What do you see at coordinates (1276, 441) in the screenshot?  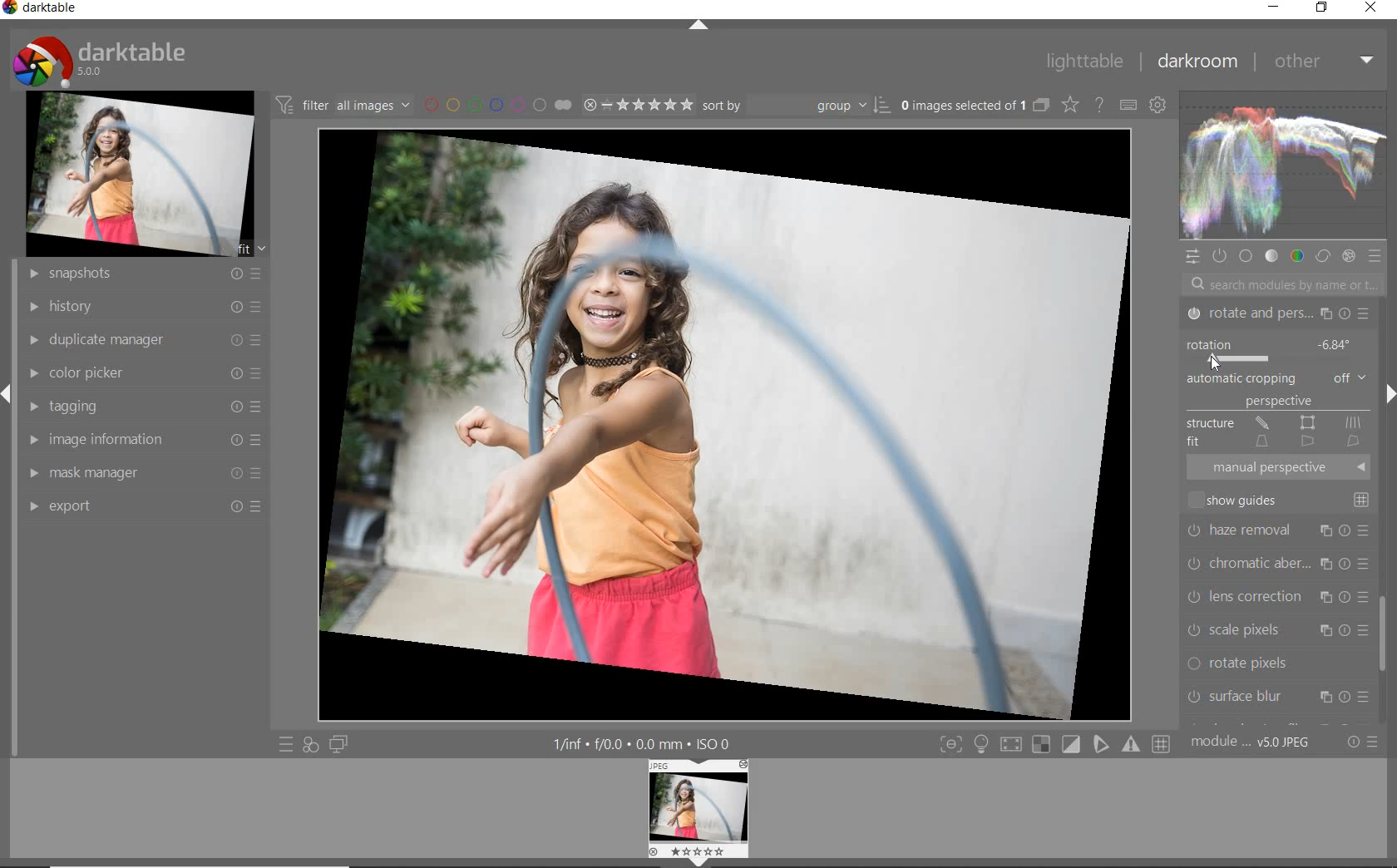 I see `FIT` at bounding box center [1276, 441].